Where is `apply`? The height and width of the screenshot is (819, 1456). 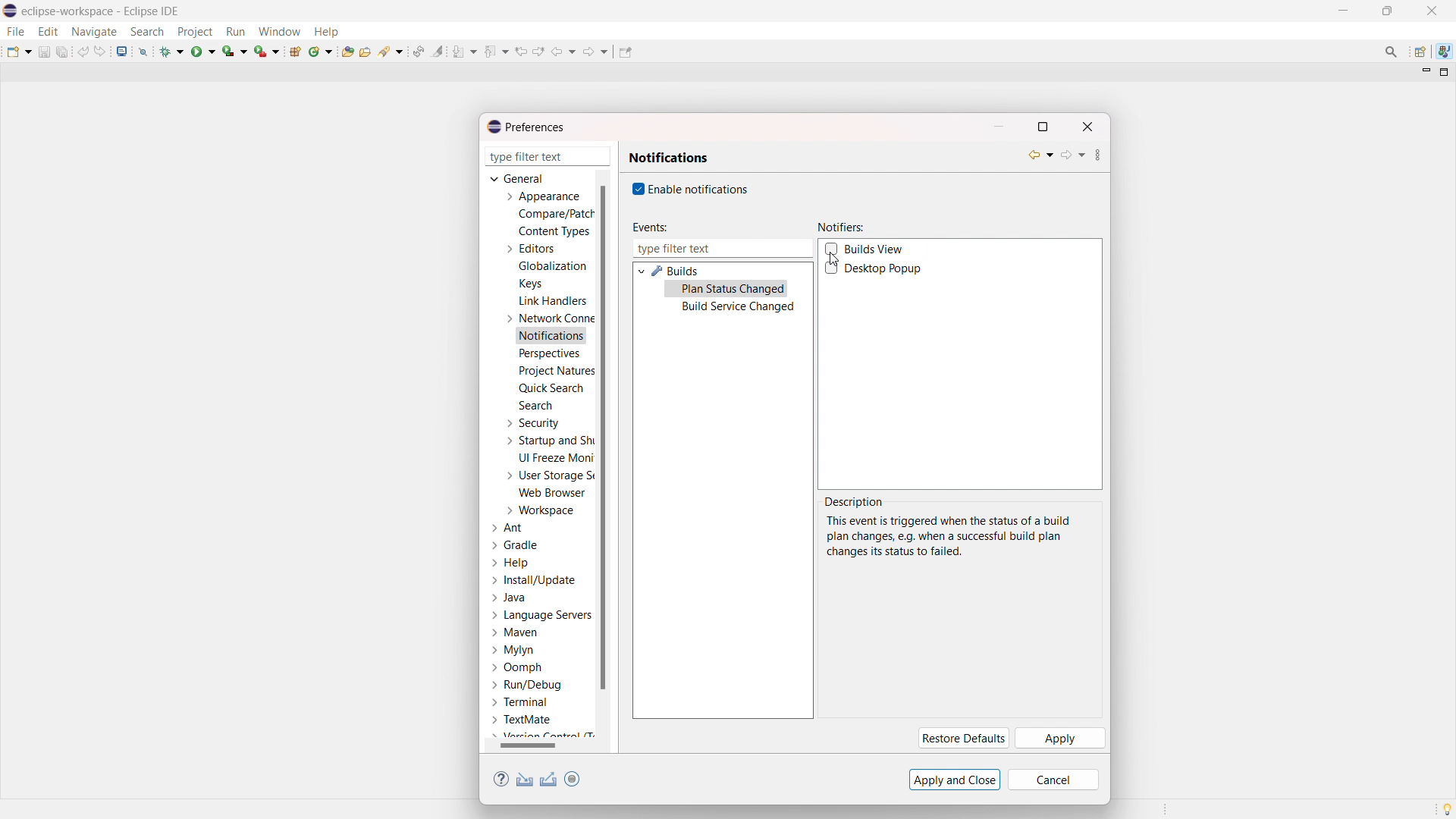
apply is located at coordinates (1059, 739).